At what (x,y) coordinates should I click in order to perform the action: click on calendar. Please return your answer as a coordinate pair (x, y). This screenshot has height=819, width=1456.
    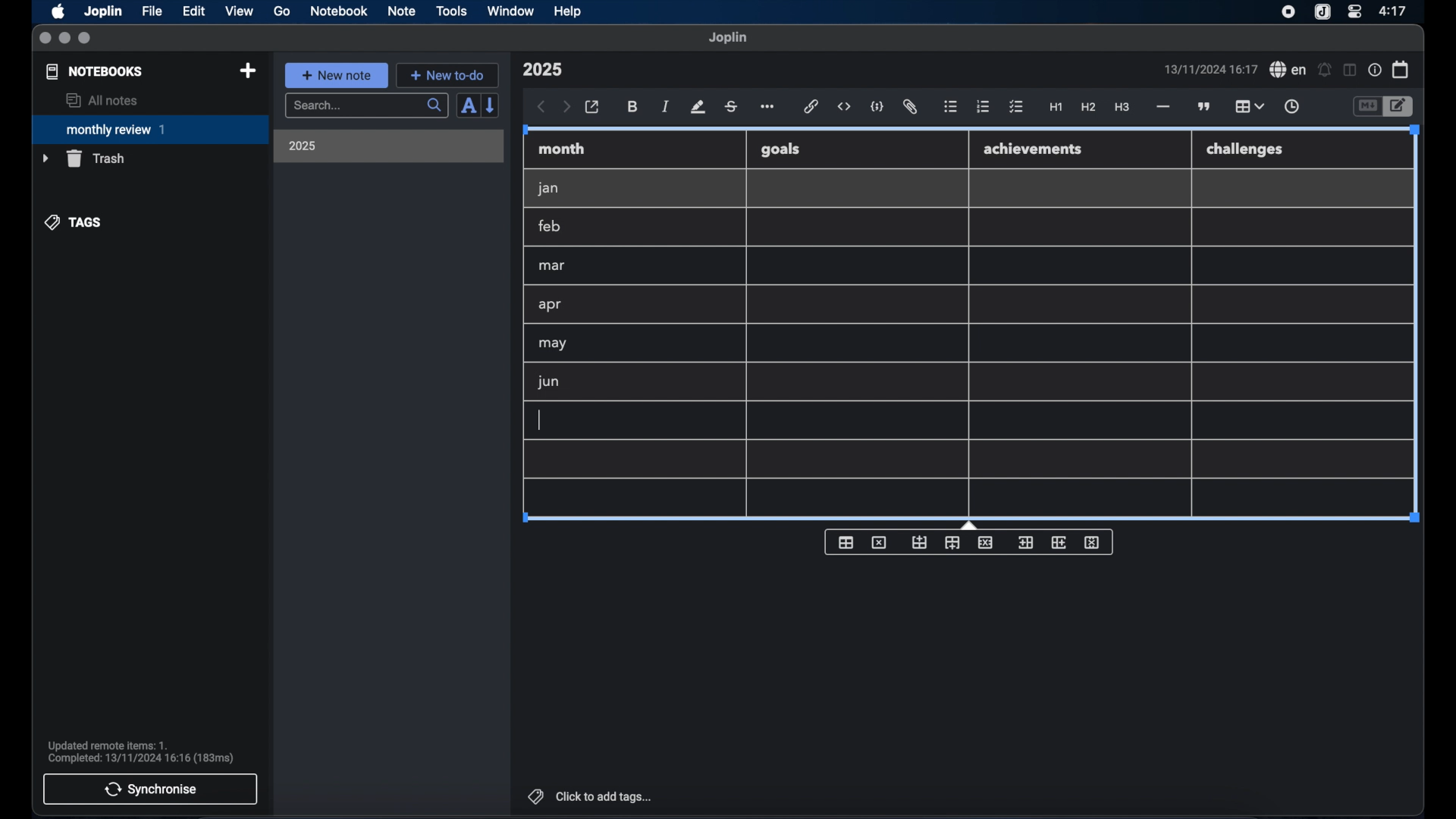
    Looking at the image, I should click on (1401, 69).